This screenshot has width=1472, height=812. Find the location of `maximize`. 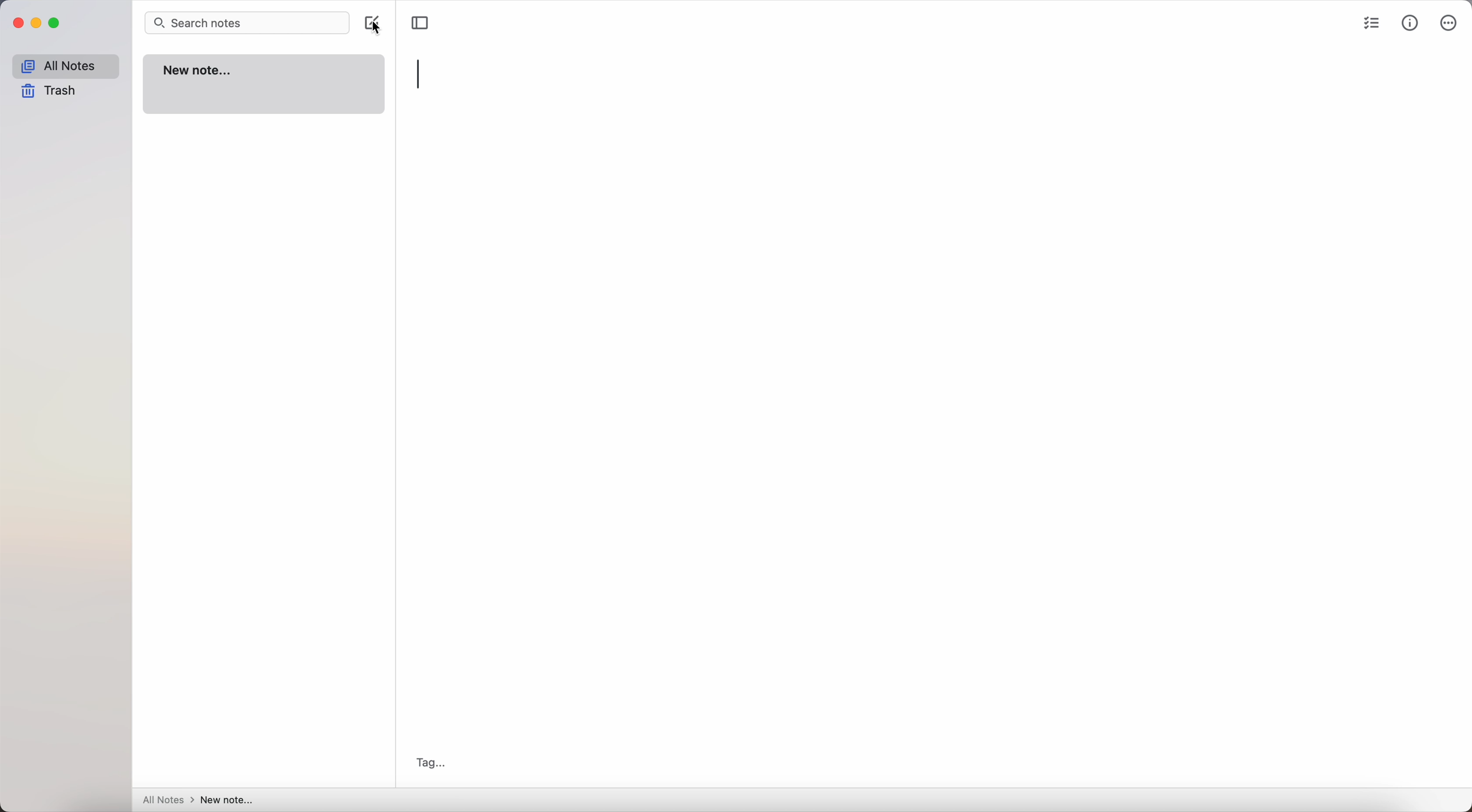

maximize is located at coordinates (57, 23).